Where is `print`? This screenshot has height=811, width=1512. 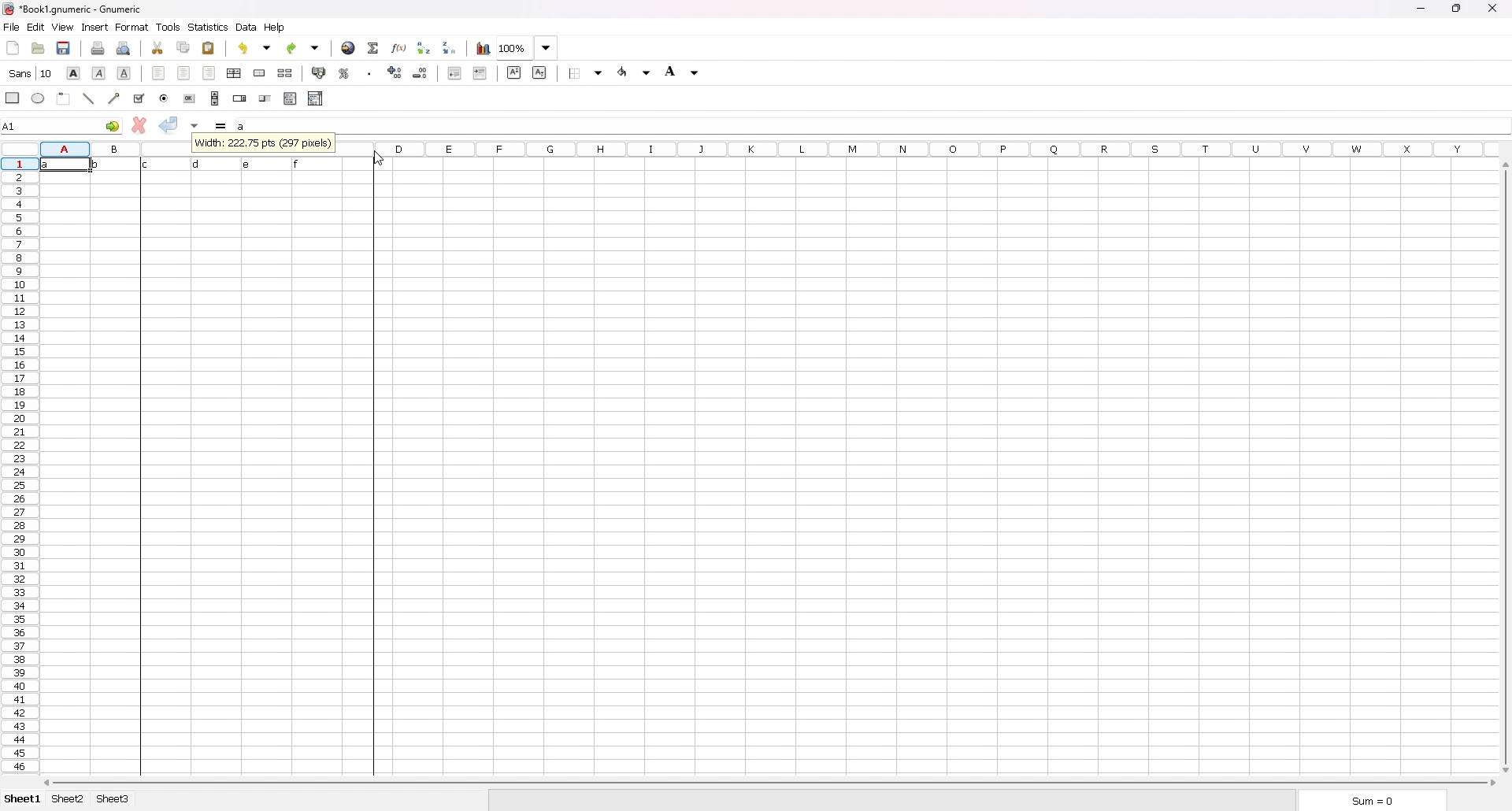 print is located at coordinates (98, 47).